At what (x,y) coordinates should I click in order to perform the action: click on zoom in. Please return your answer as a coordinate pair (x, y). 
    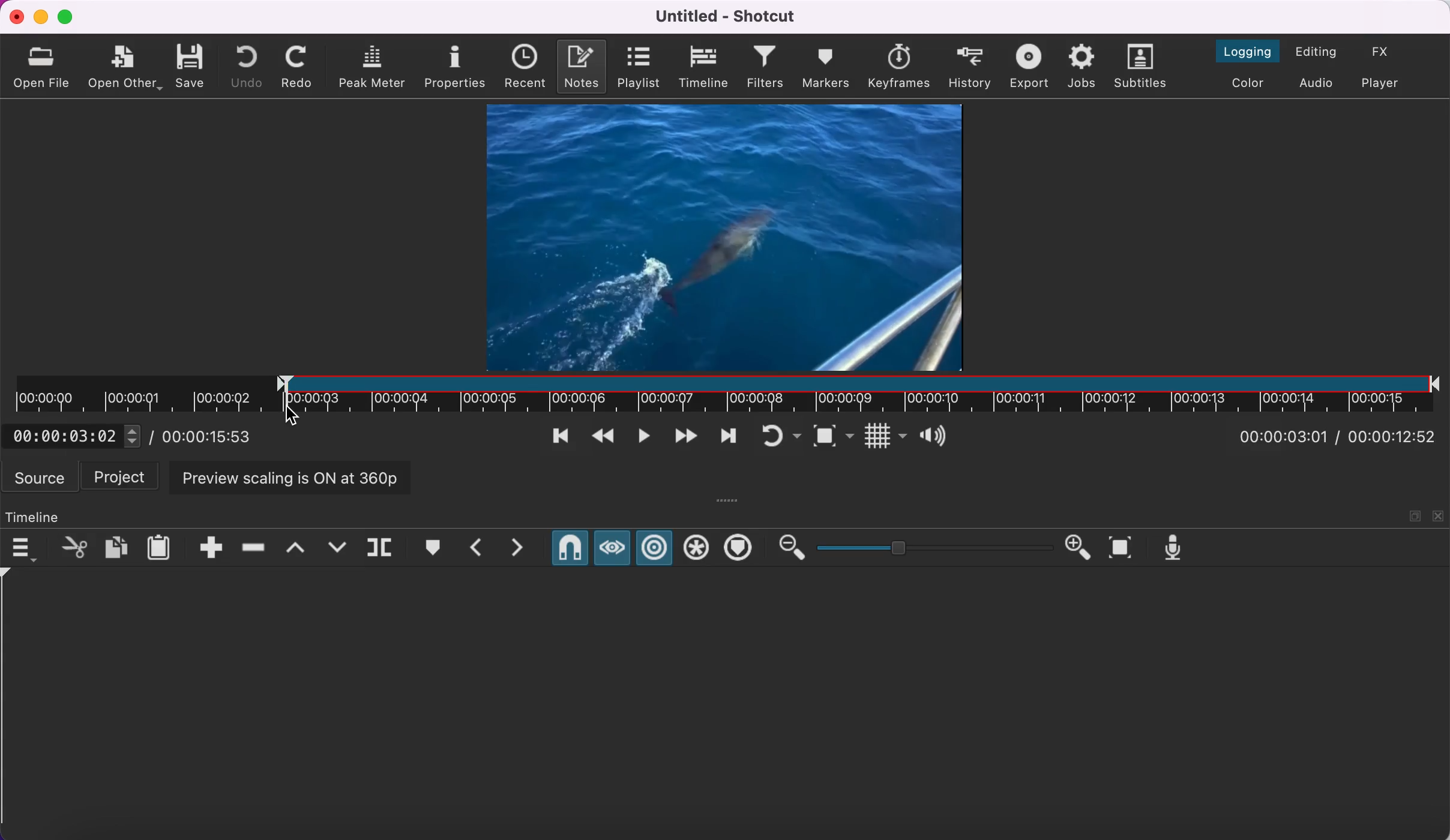
    Looking at the image, I should click on (1081, 548).